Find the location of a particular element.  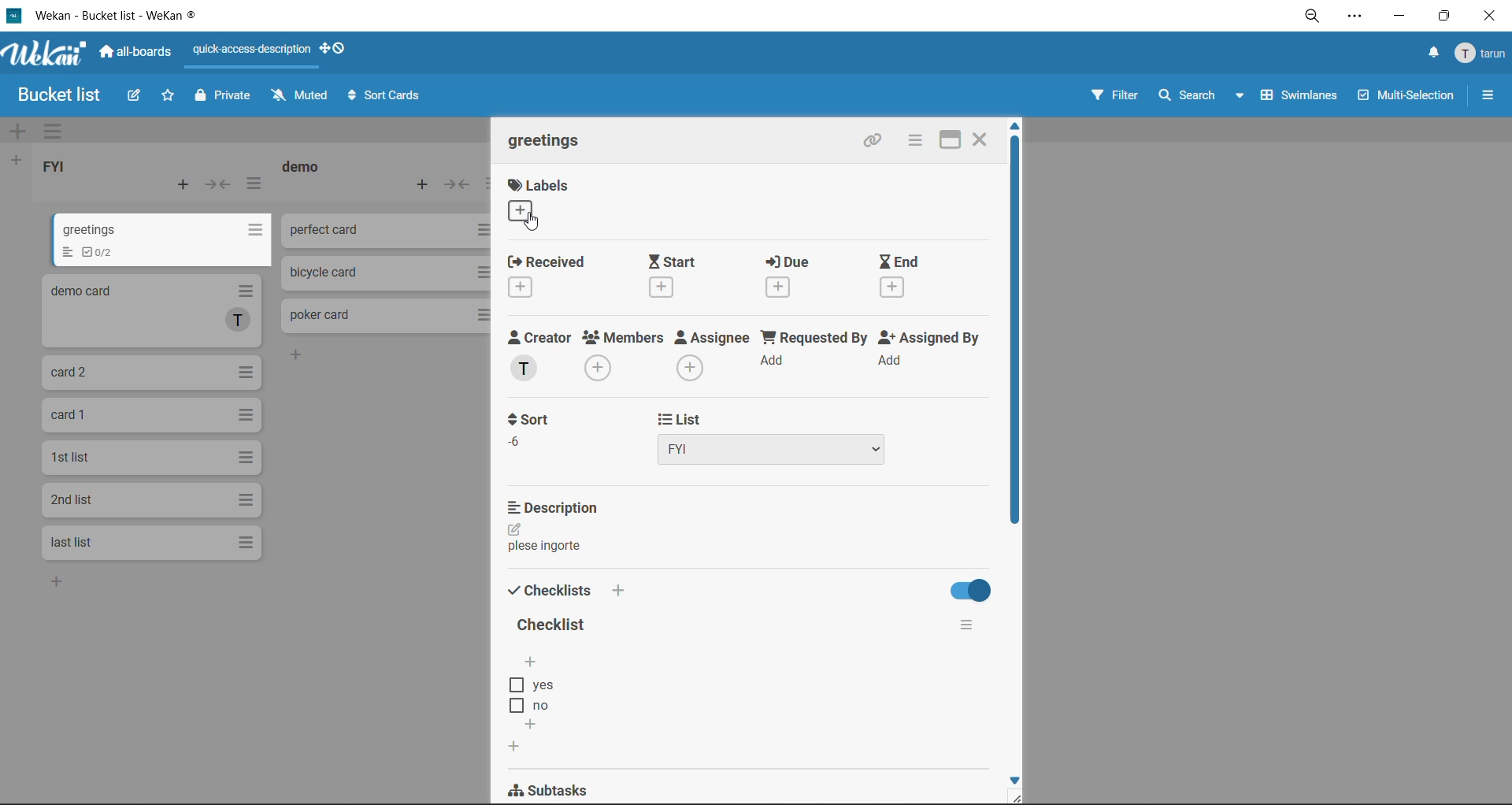

show desktop drag handles is located at coordinates (334, 50).